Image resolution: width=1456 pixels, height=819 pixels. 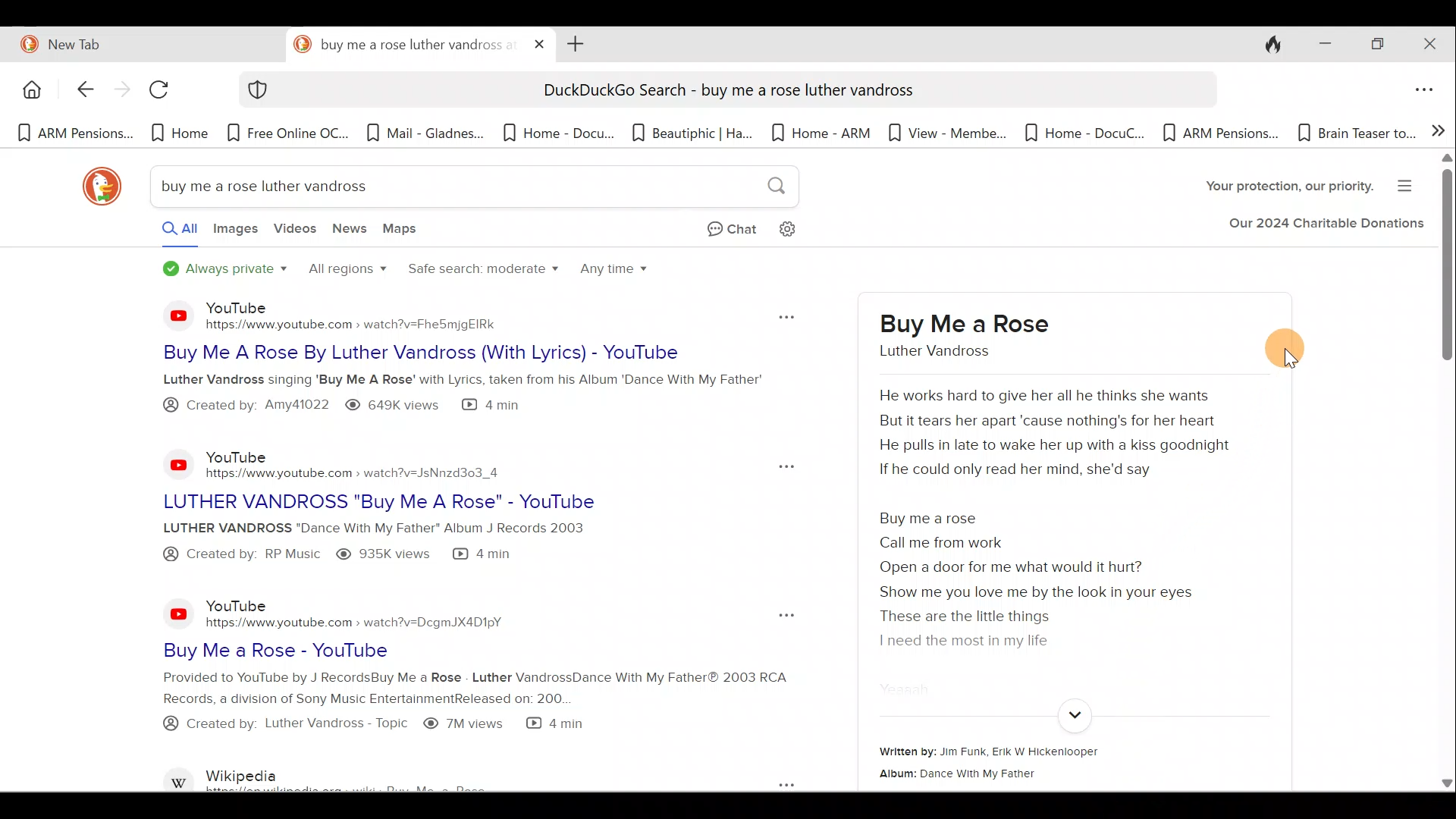 I want to click on News, so click(x=351, y=232).